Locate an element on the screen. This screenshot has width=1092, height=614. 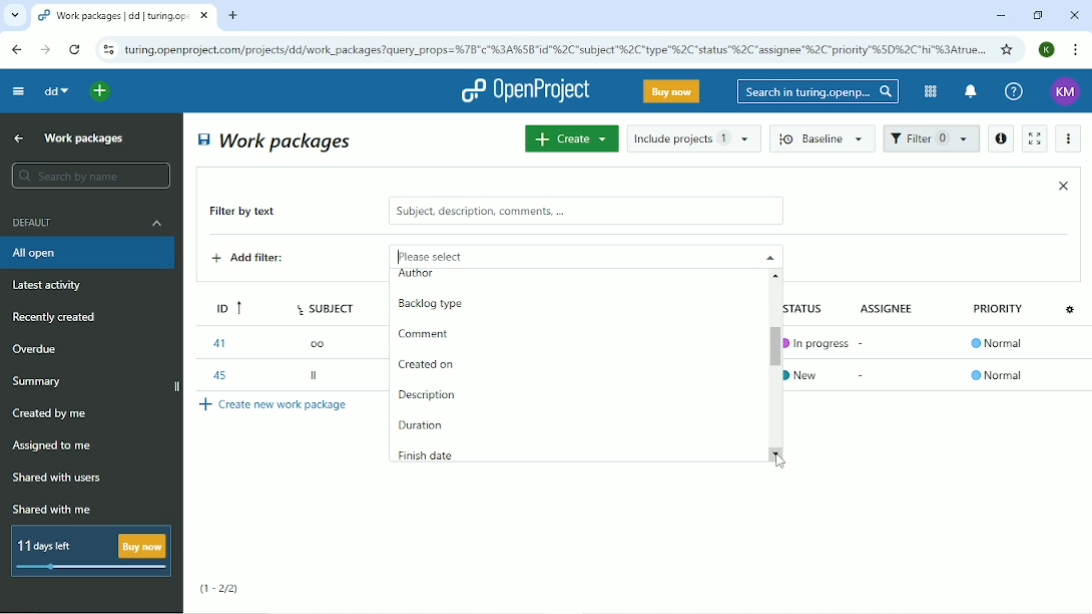
Create new work package is located at coordinates (275, 404).